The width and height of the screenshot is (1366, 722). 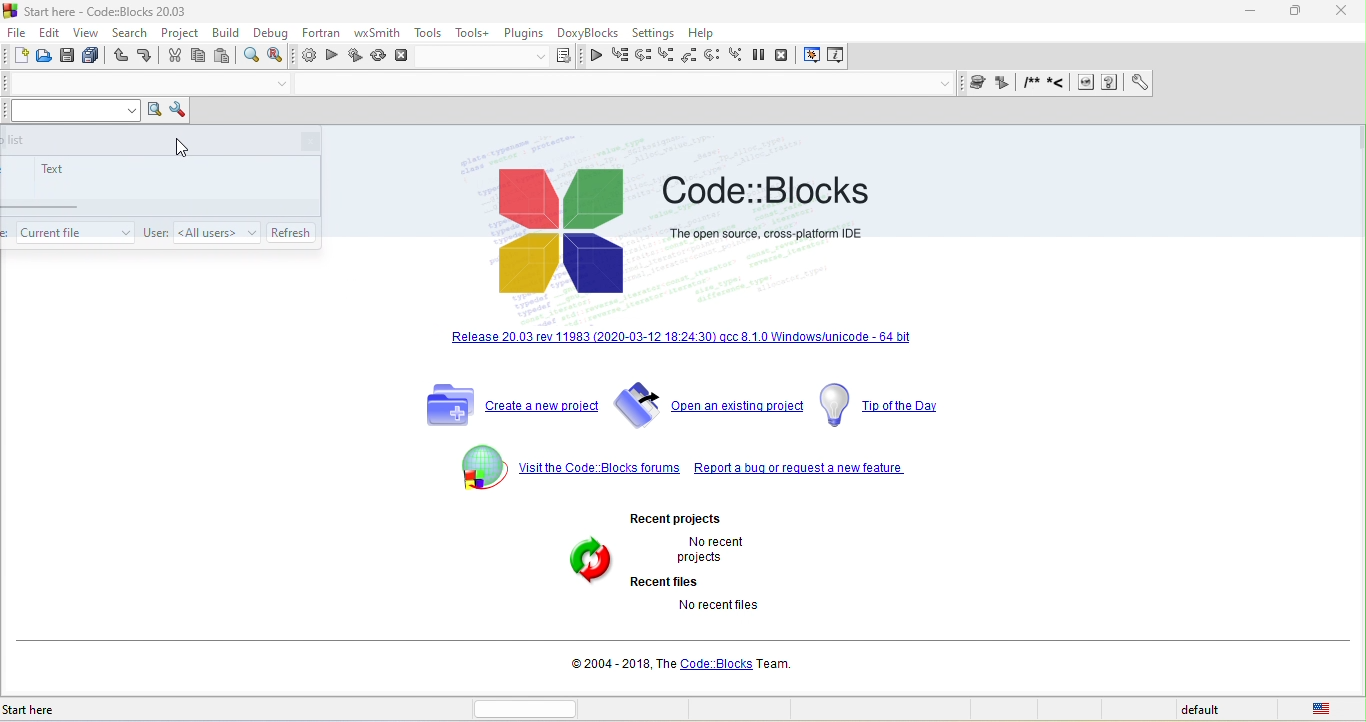 I want to click on start here, so click(x=64, y=710).